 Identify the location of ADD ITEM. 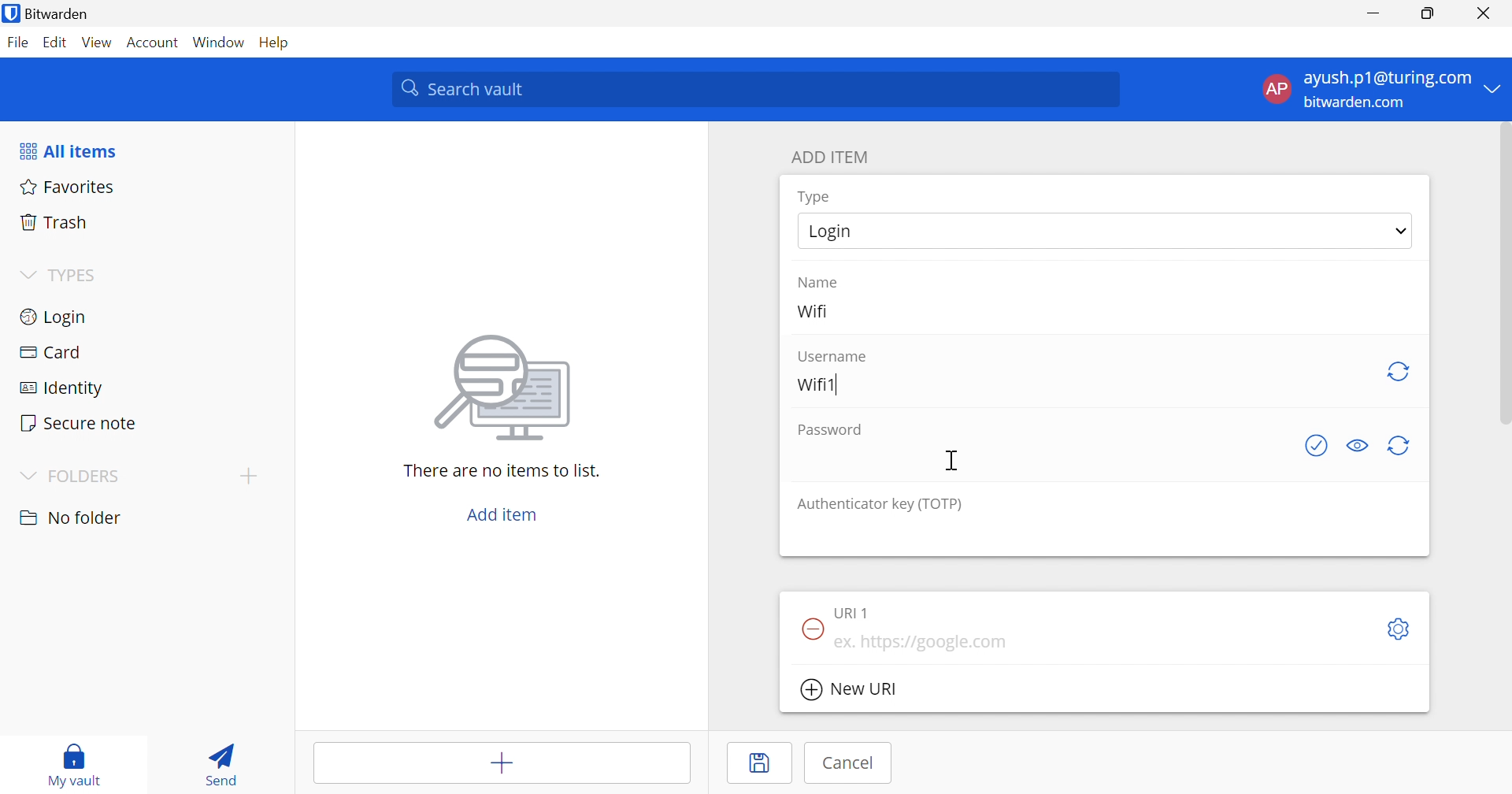
(832, 157).